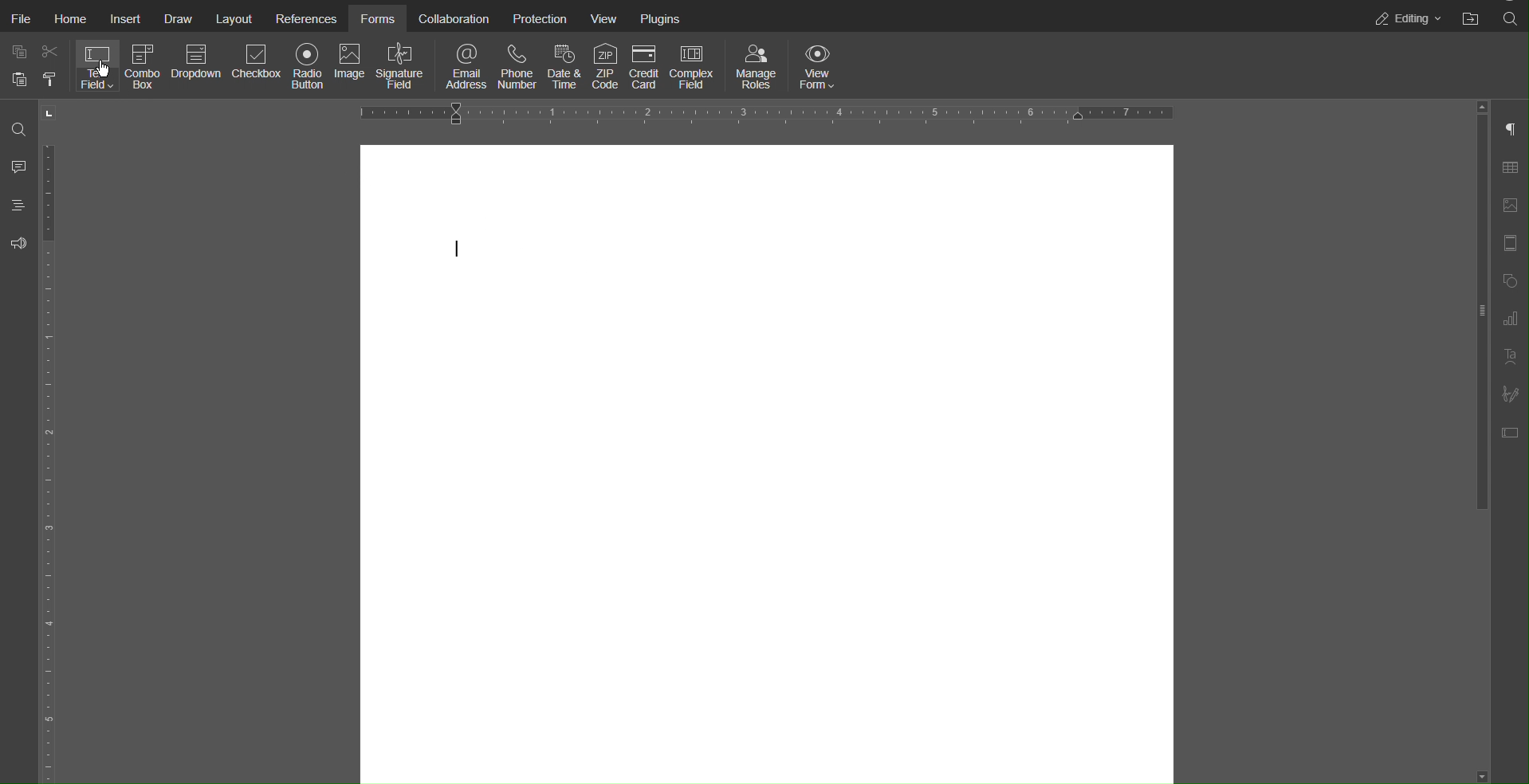 Image resolution: width=1529 pixels, height=784 pixels. Describe the element at coordinates (125, 20) in the screenshot. I see `Insert ` at that location.